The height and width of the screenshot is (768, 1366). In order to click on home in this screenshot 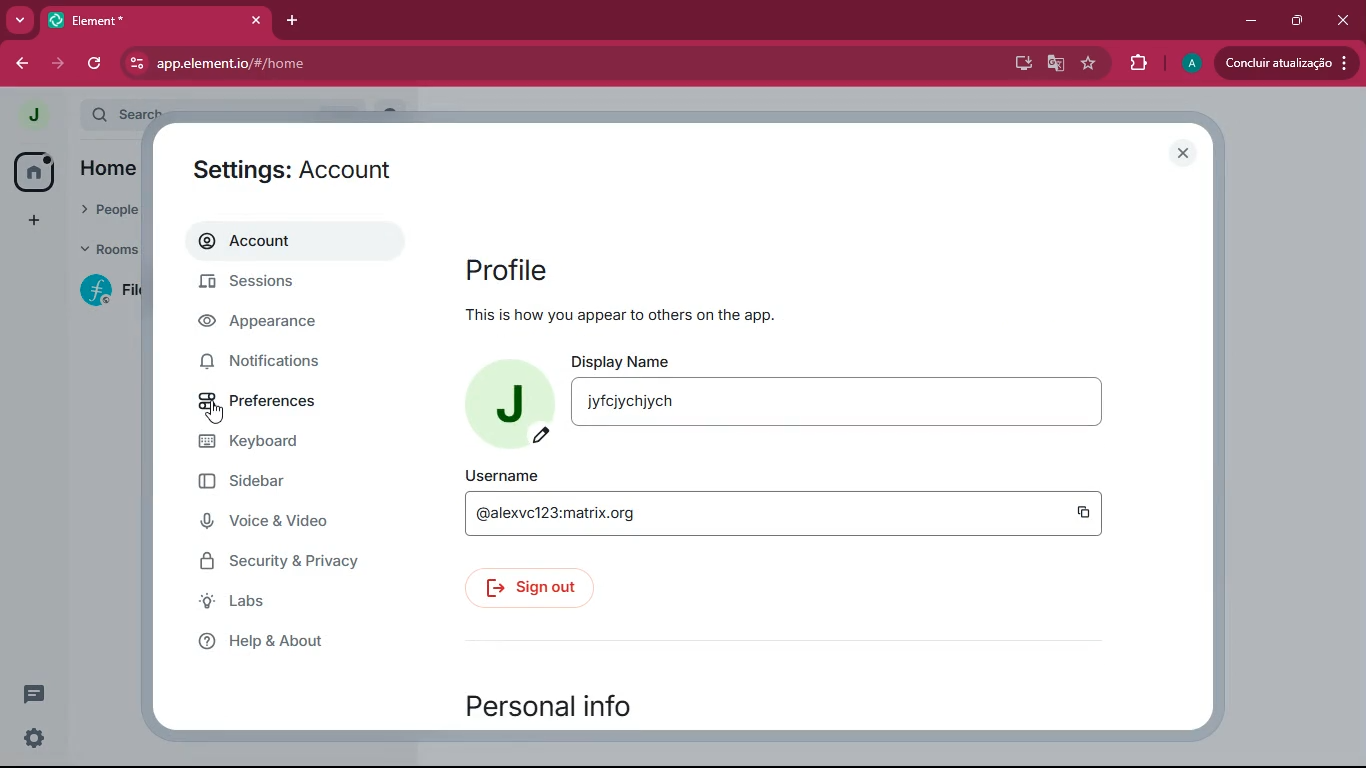, I will do `click(34, 171)`.